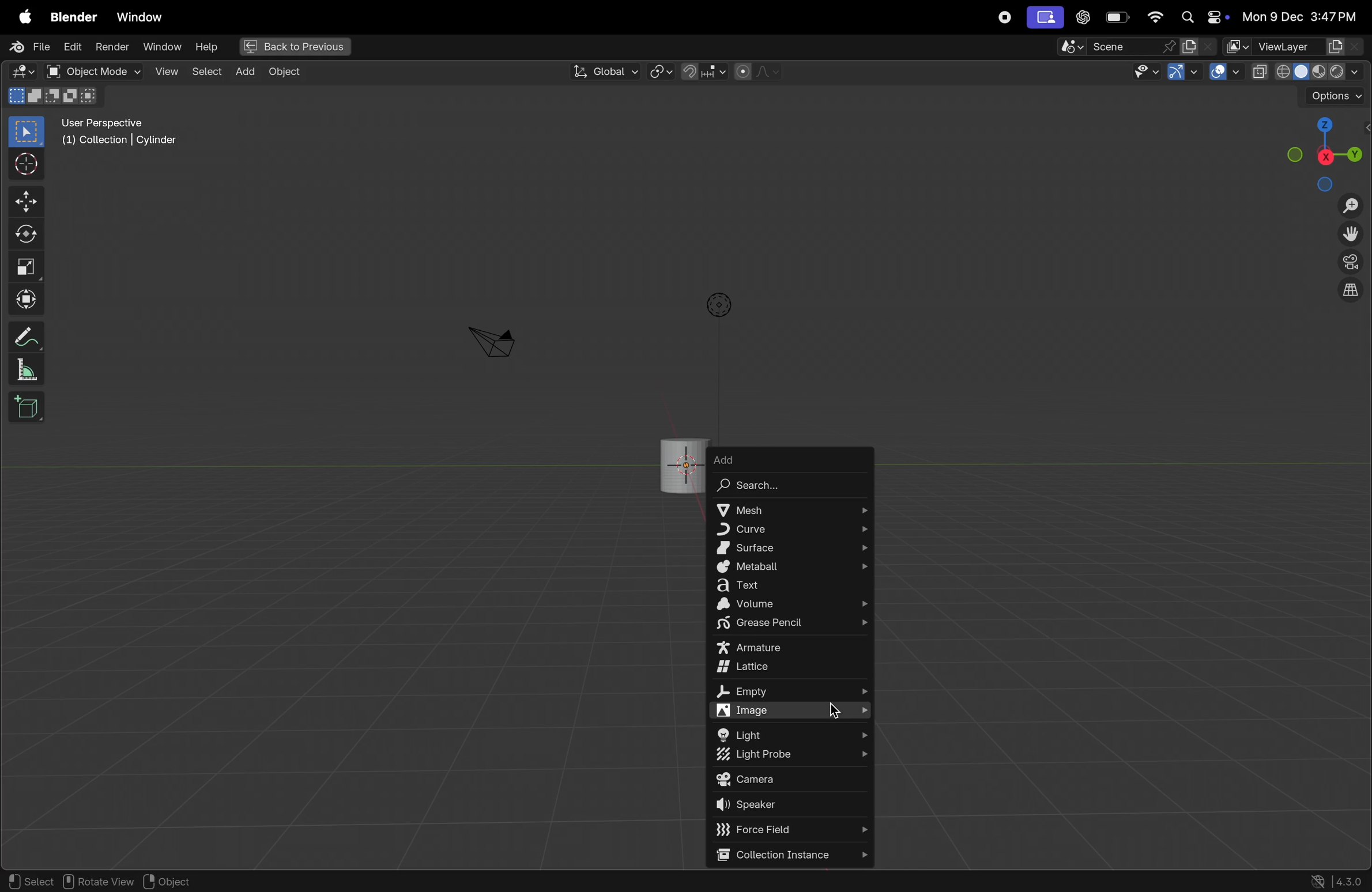 The height and width of the screenshot is (892, 1372). What do you see at coordinates (1305, 71) in the screenshot?
I see `view shading` at bounding box center [1305, 71].